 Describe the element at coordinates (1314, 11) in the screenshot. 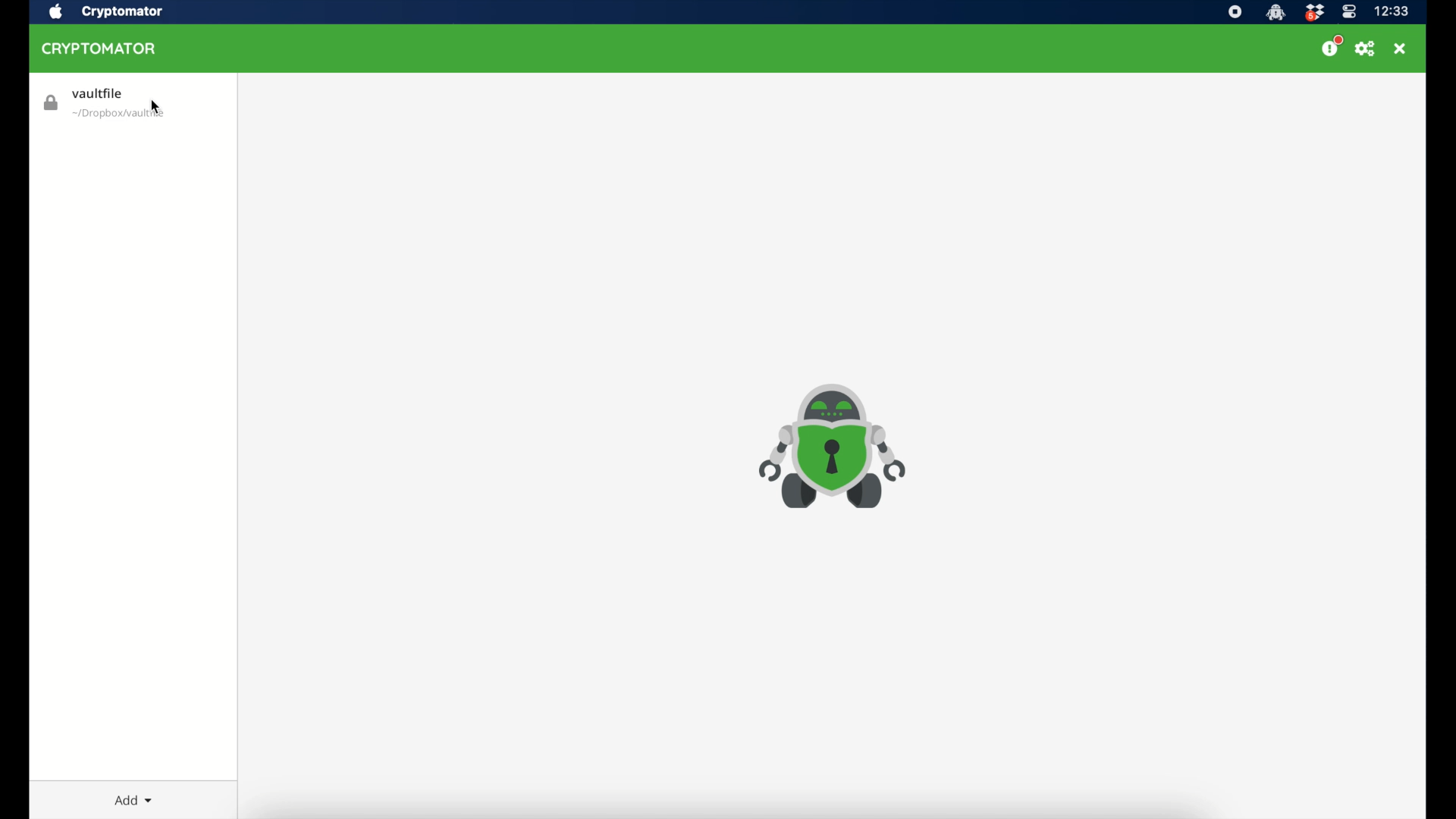

I see `dropbox icon` at that location.